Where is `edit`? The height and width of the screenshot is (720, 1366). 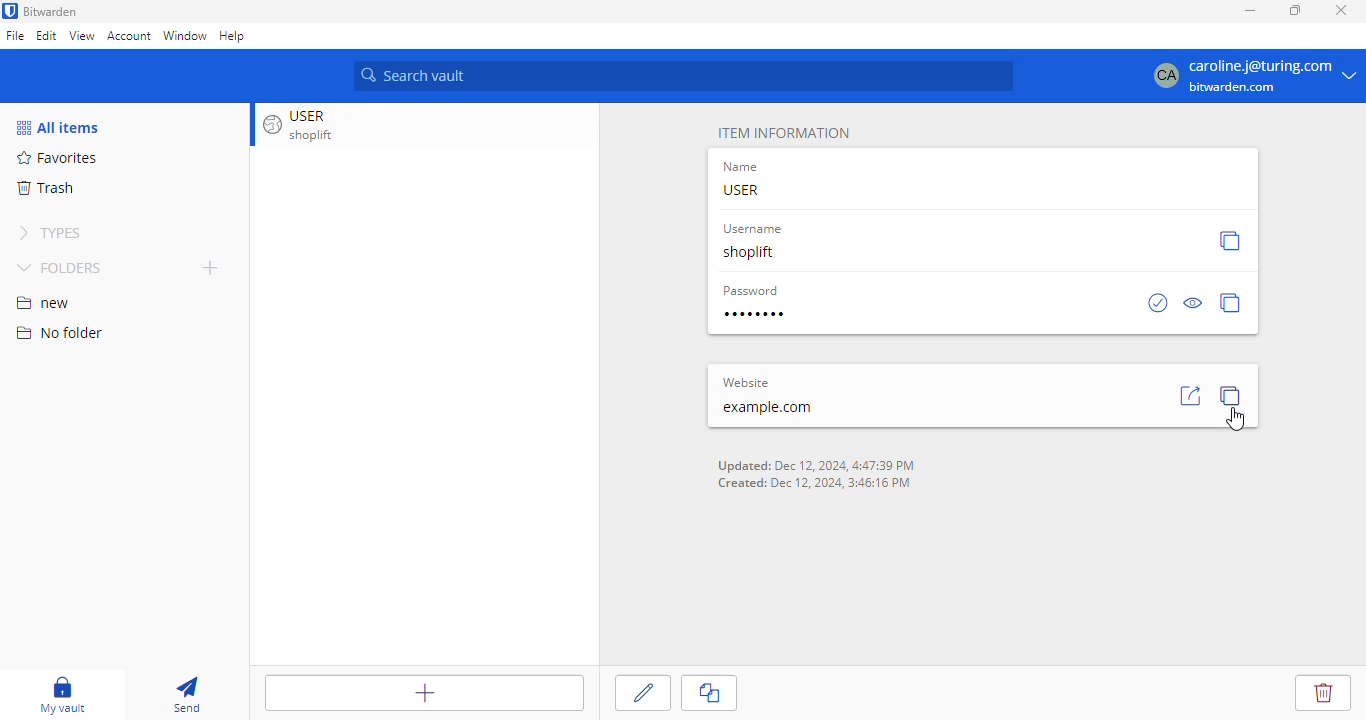
edit is located at coordinates (645, 693).